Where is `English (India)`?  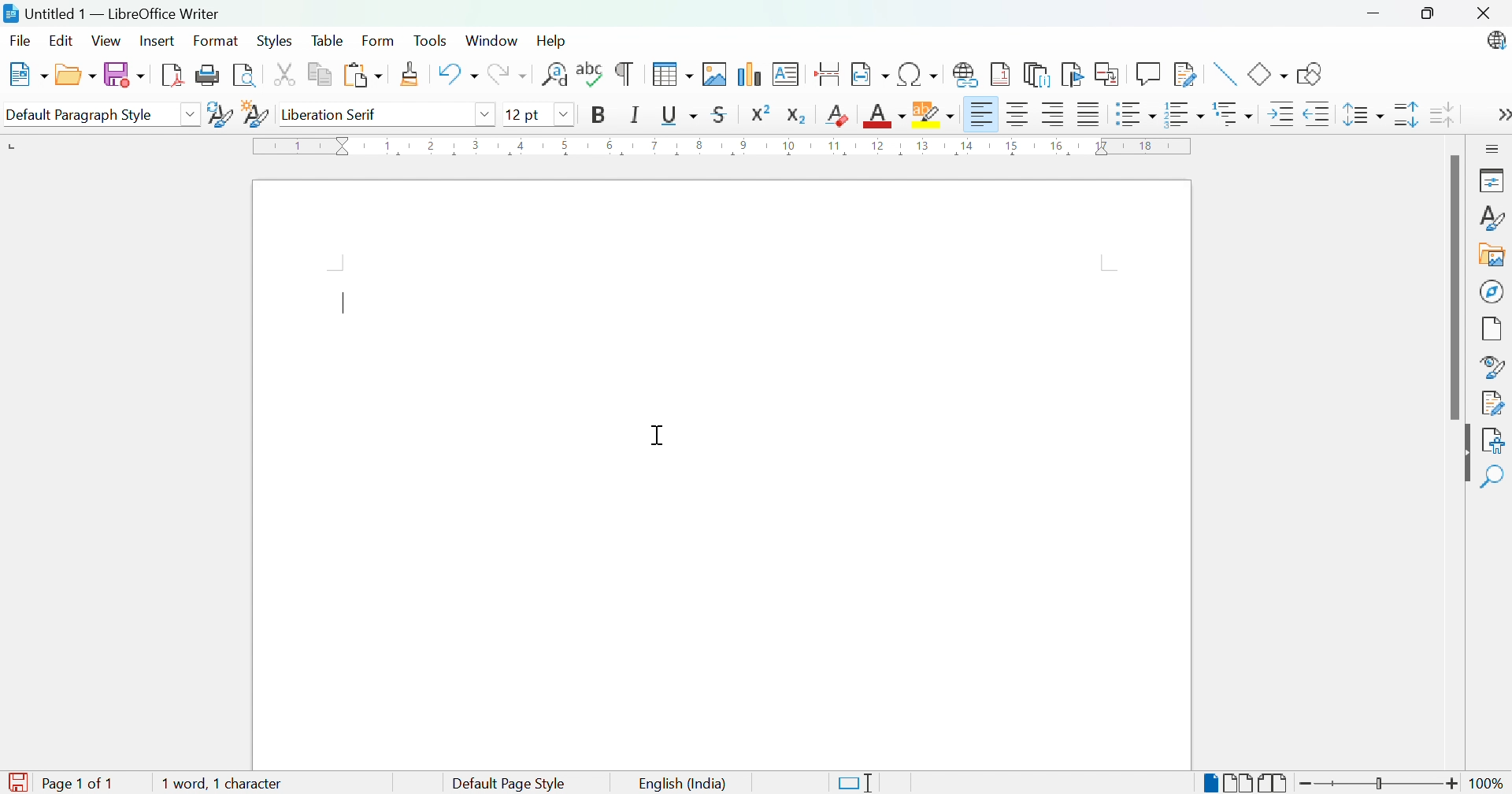
English (India) is located at coordinates (680, 784).